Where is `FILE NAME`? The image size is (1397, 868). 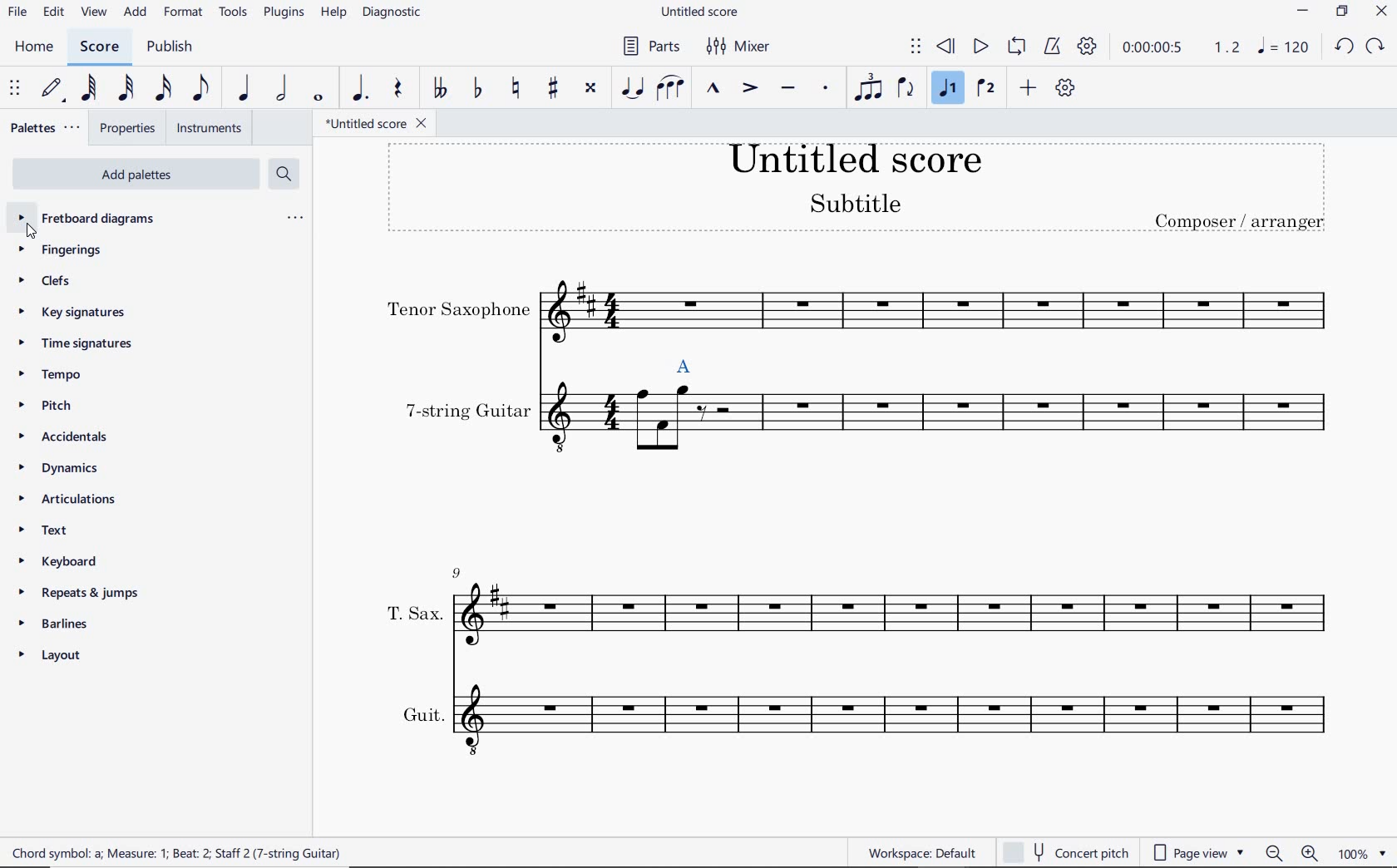
FILE NAME is located at coordinates (374, 124).